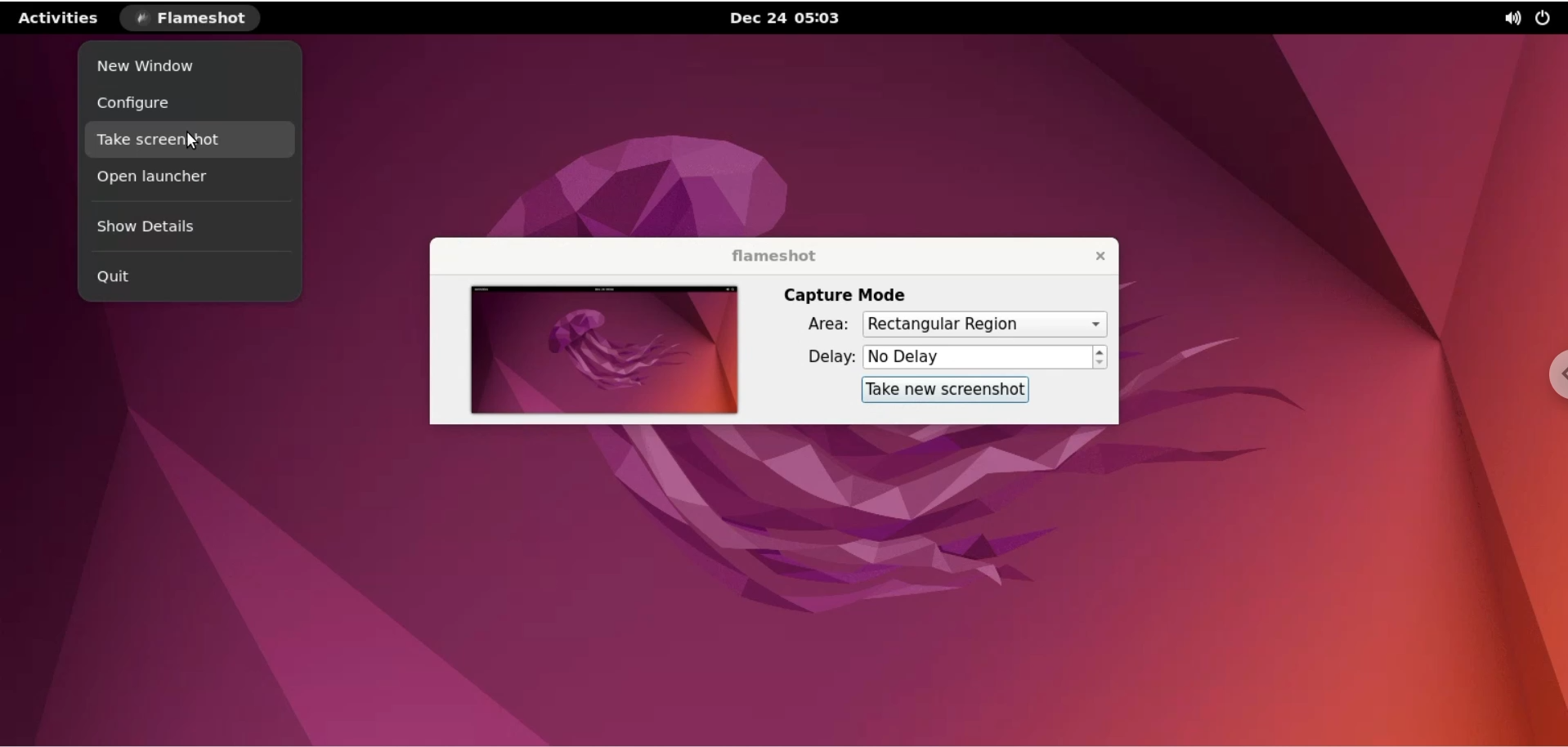 The height and width of the screenshot is (747, 1568). I want to click on show details , so click(183, 230).